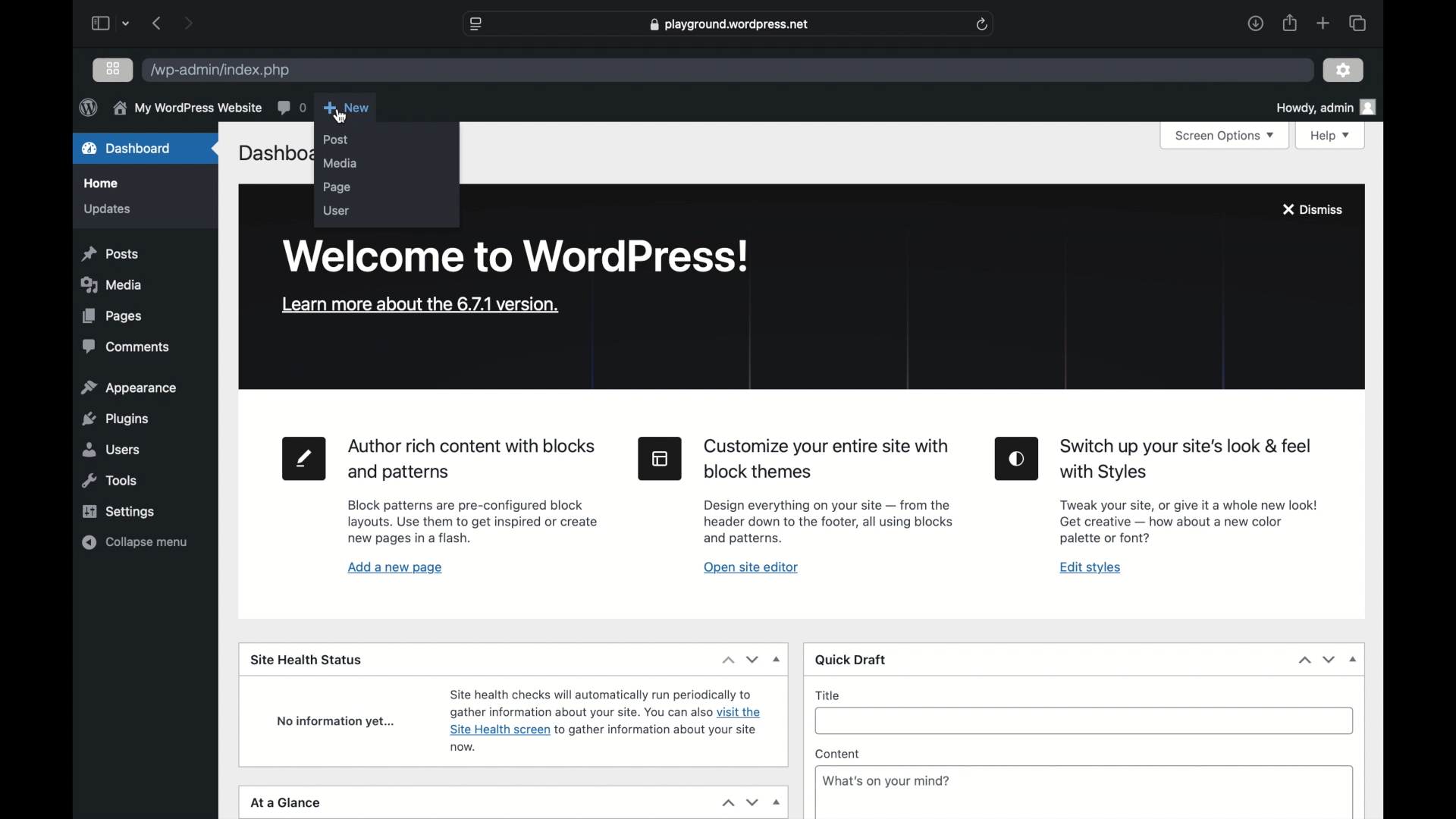 This screenshot has height=819, width=1456. What do you see at coordinates (470, 460) in the screenshot?
I see `heading` at bounding box center [470, 460].